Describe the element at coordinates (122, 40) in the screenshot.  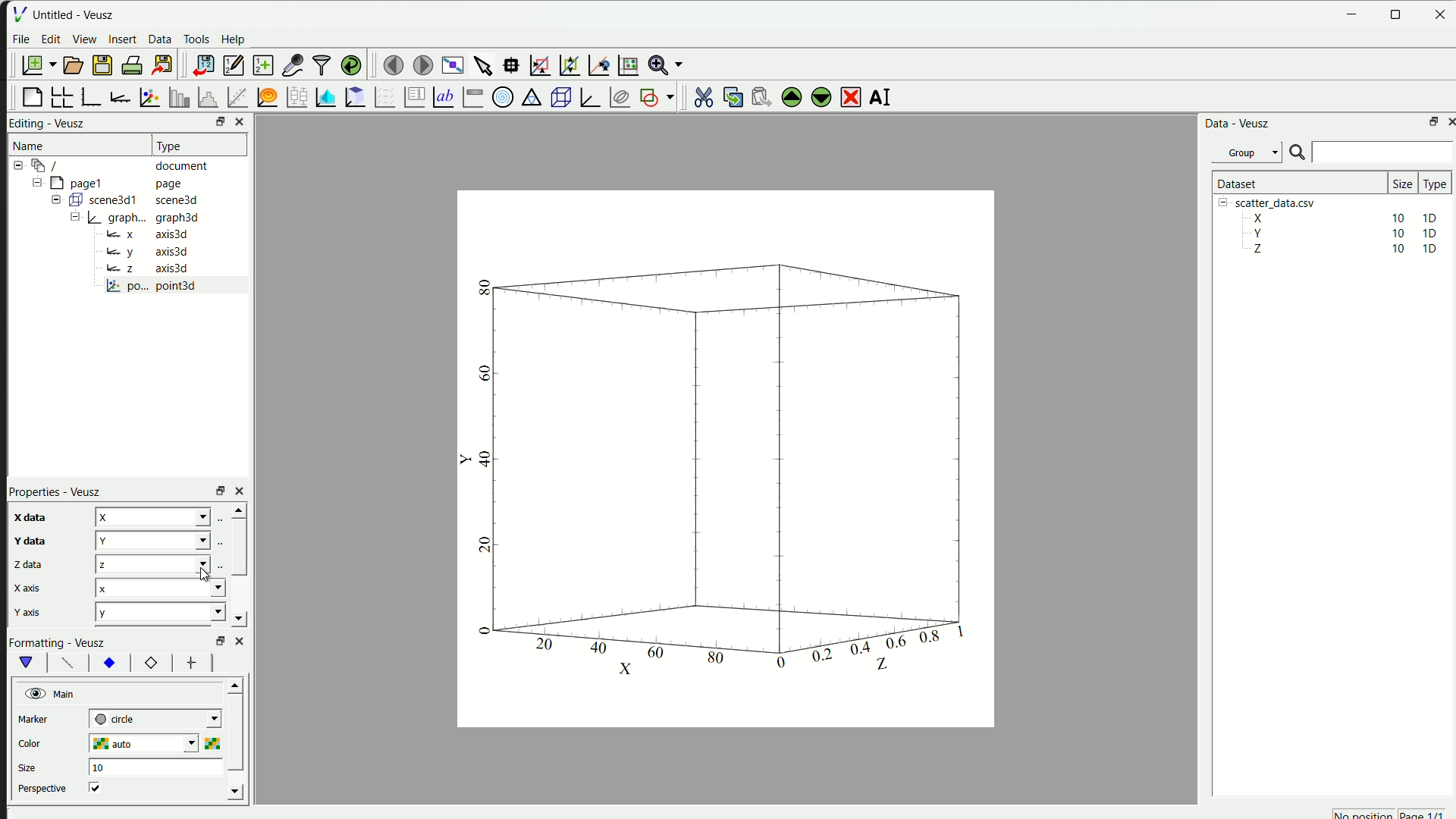
I see `insert` at that location.